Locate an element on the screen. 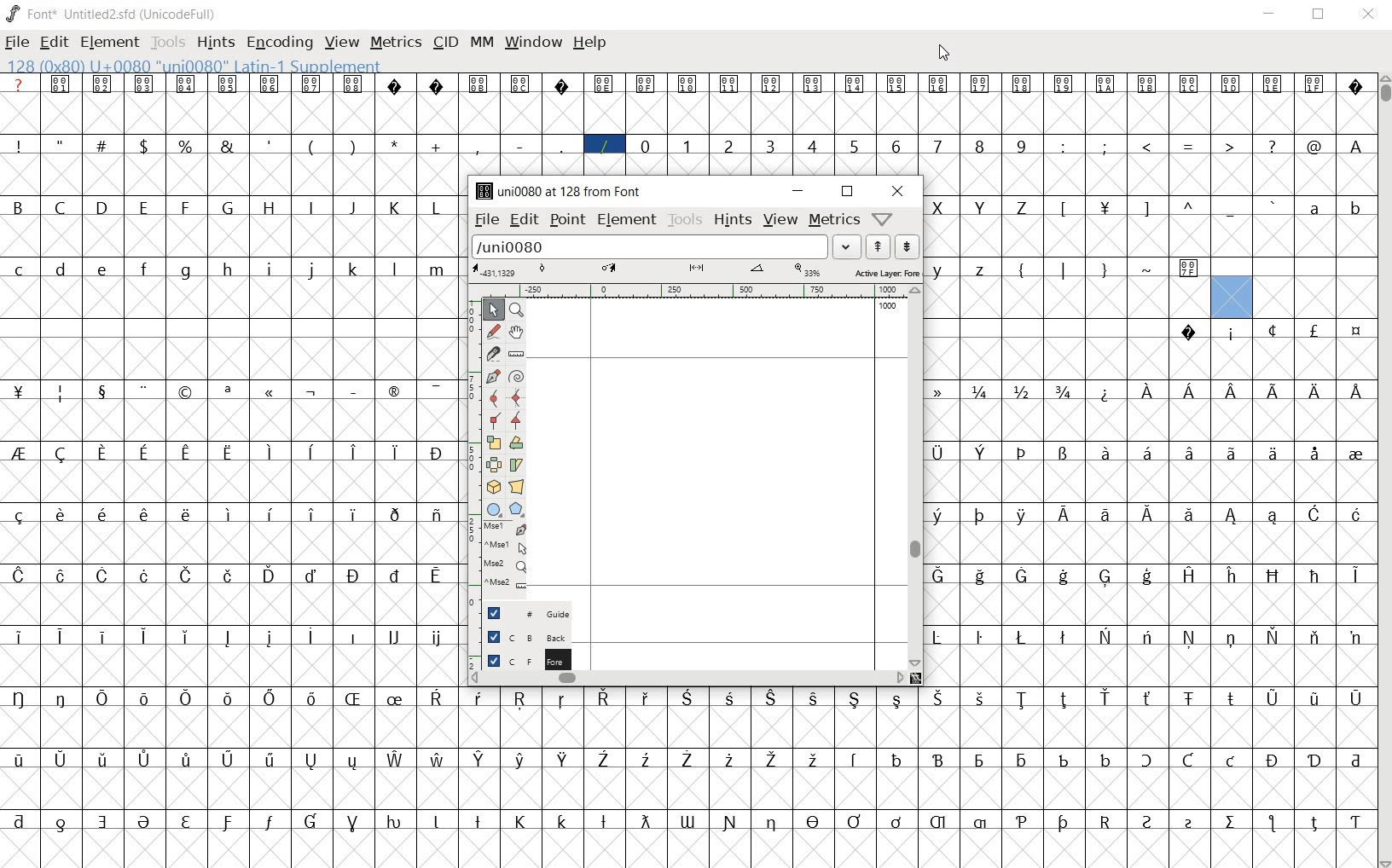 Image resolution: width=1392 pixels, height=868 pixels. glyph is located at coordinates (937, 146).